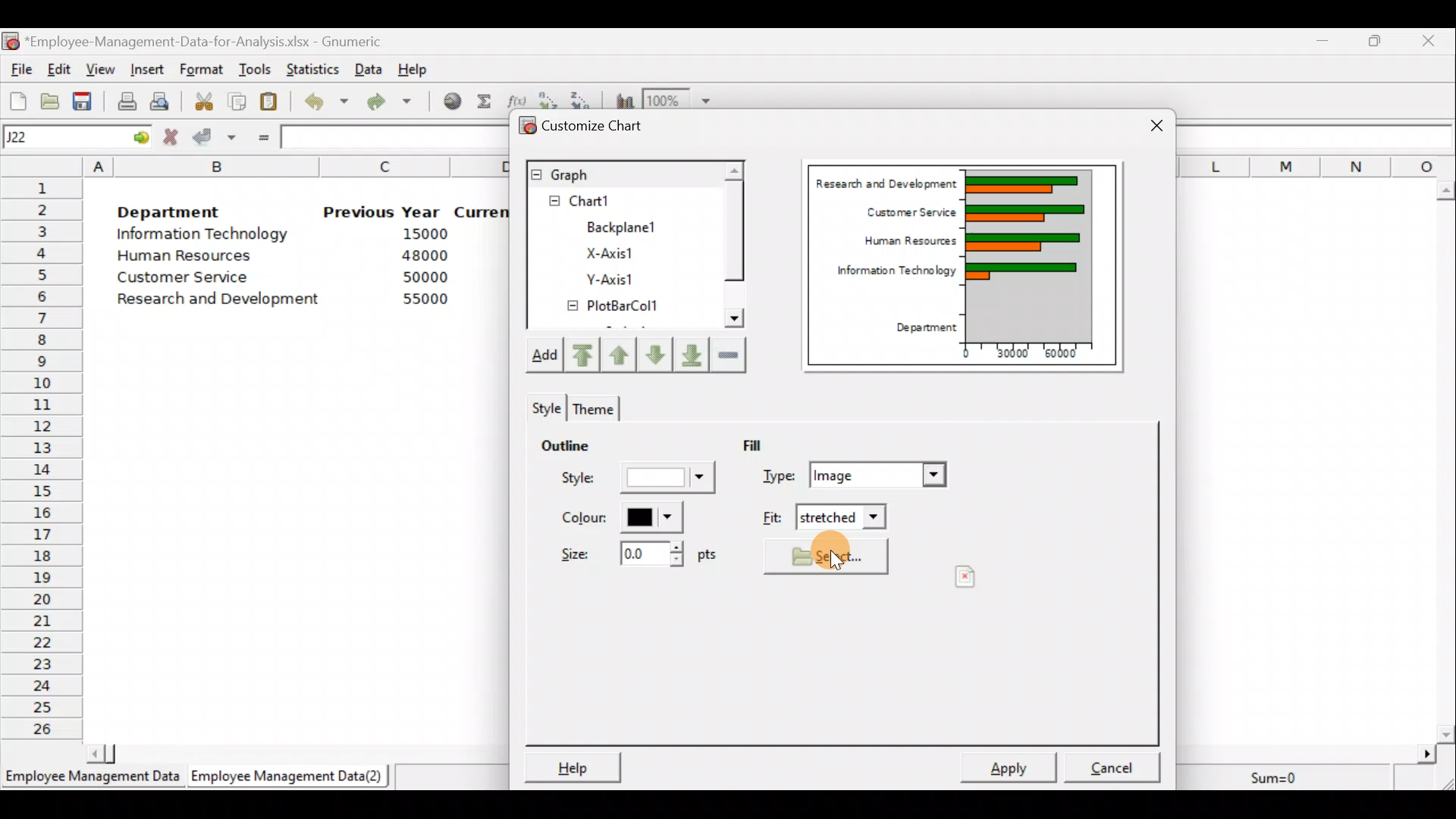 This screenshot has width=1456, height=819. I want to click on Edit, so click(61, 68).